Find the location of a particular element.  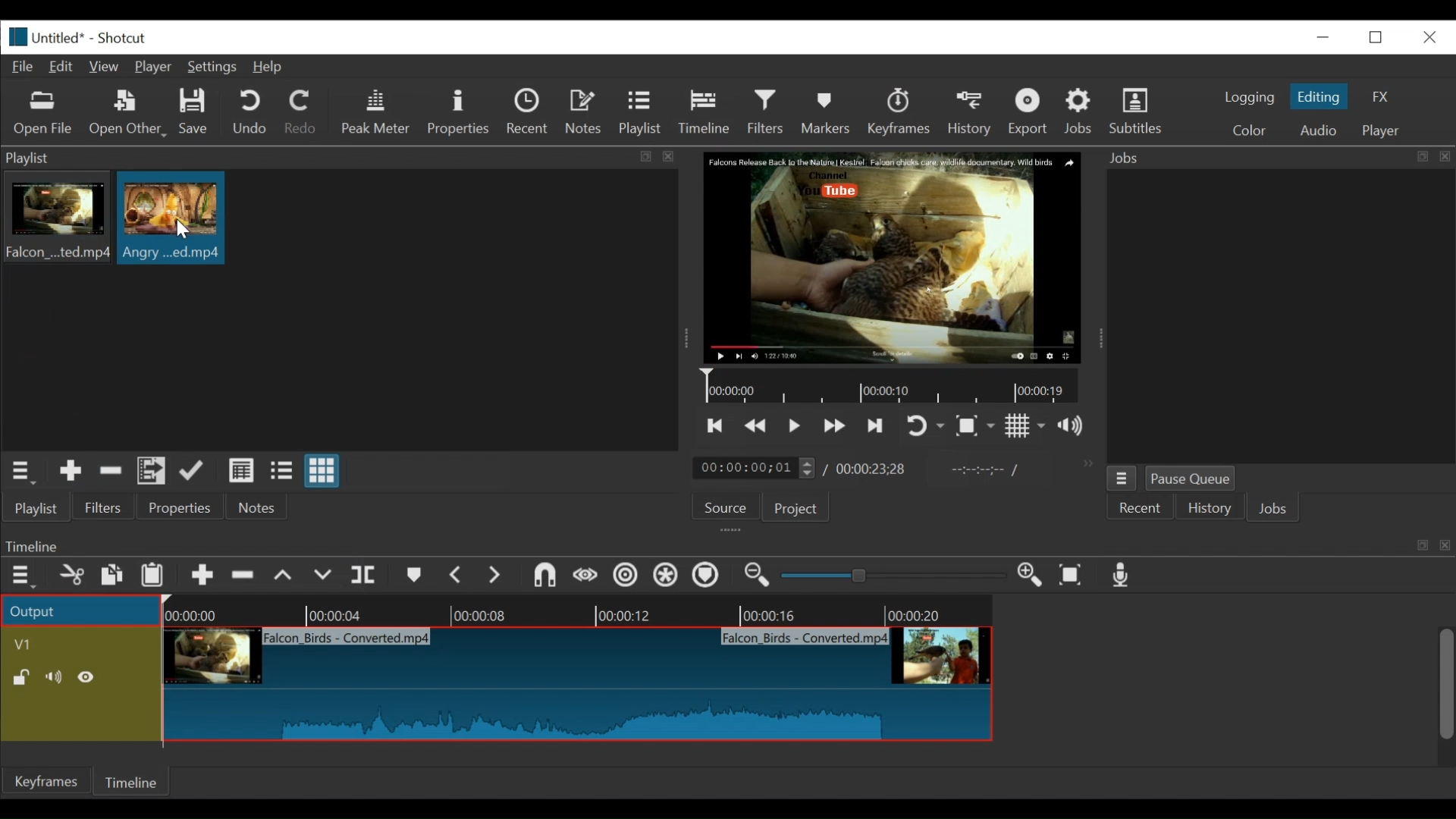

Settings is located at coordinates (215, 69).